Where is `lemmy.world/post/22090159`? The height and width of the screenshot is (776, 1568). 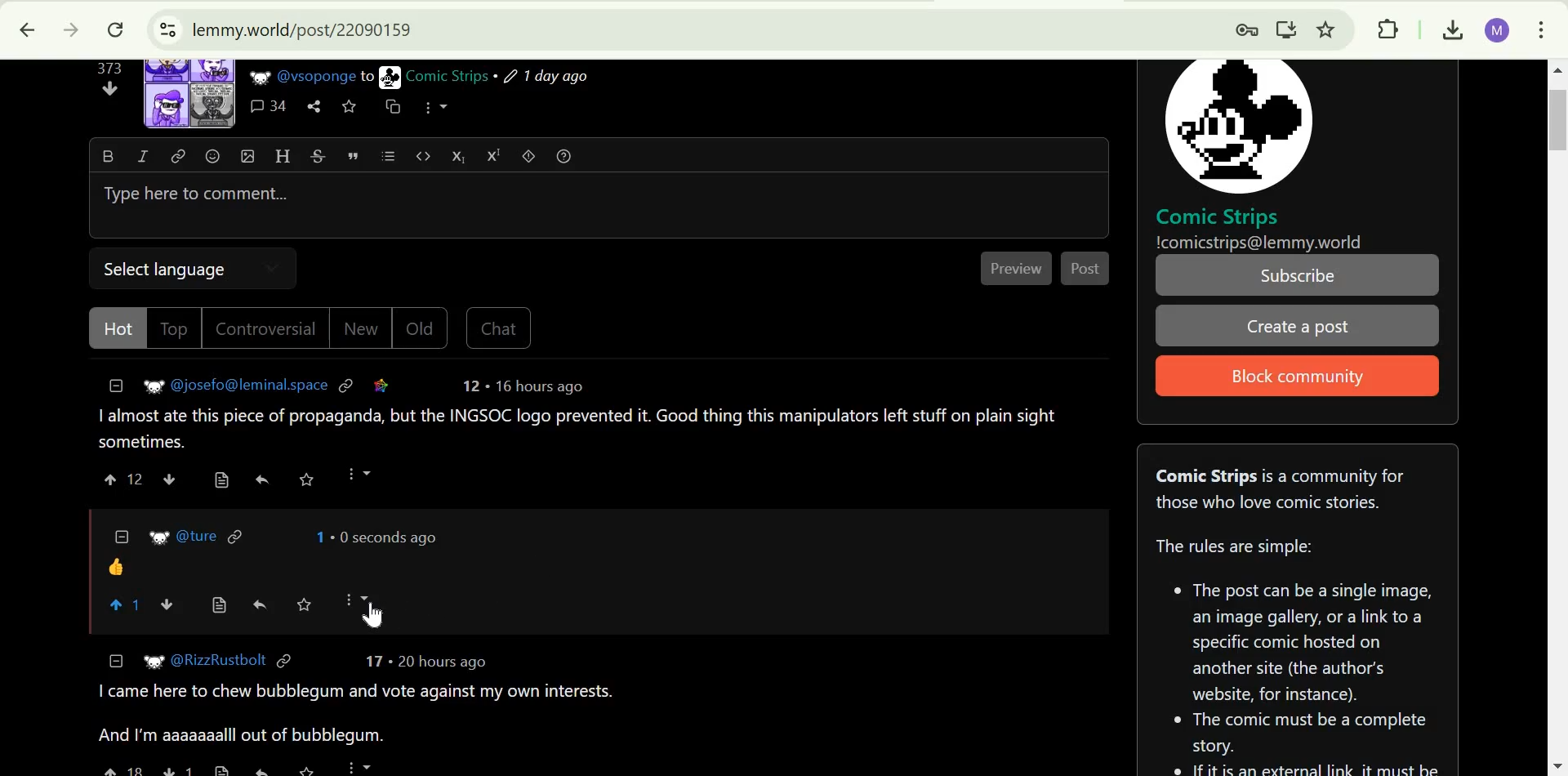
lemmy.world/post/22090159 is located at coordinates (300, 29).